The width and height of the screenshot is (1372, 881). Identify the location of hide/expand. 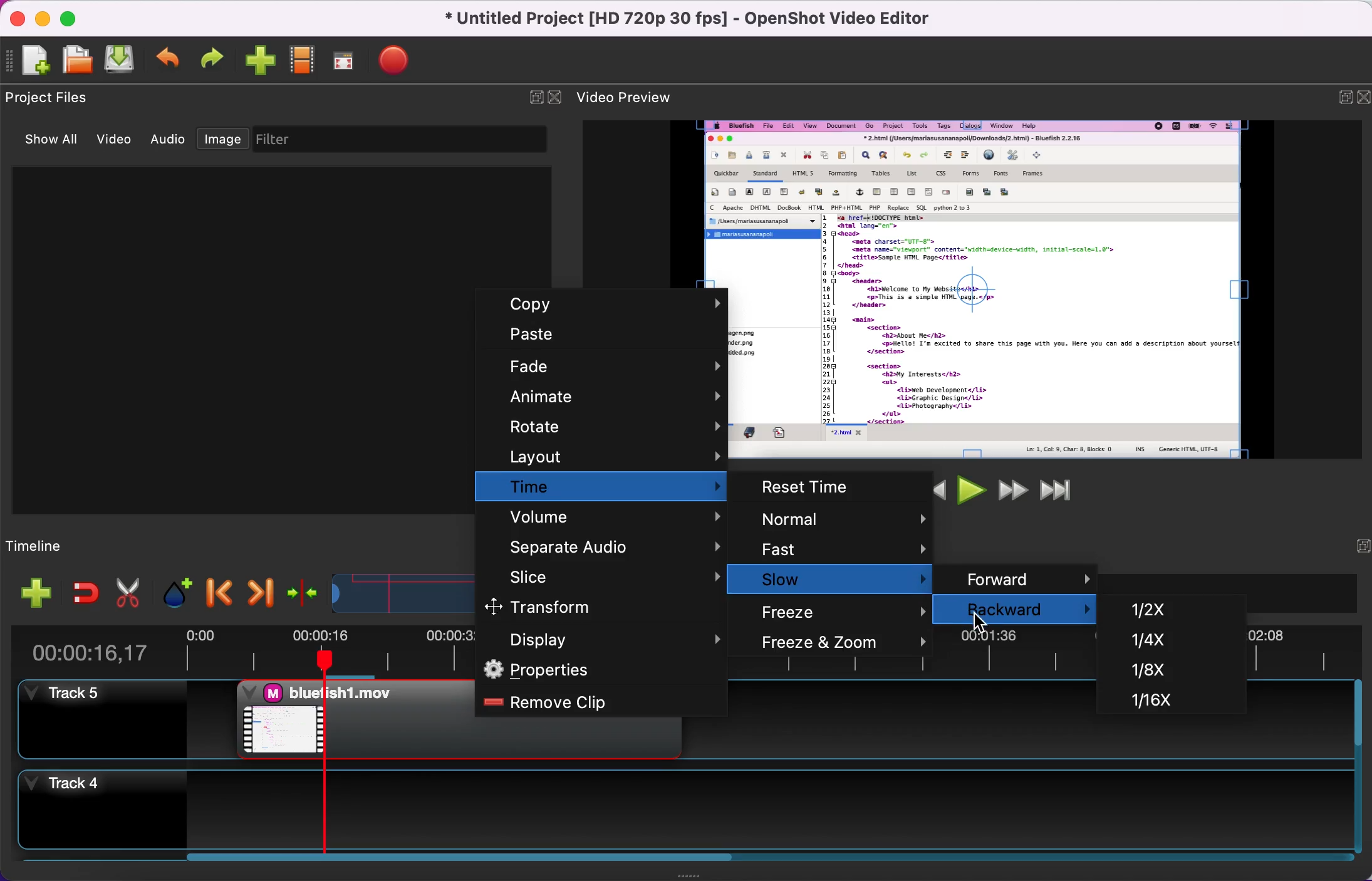
(1354, 547).